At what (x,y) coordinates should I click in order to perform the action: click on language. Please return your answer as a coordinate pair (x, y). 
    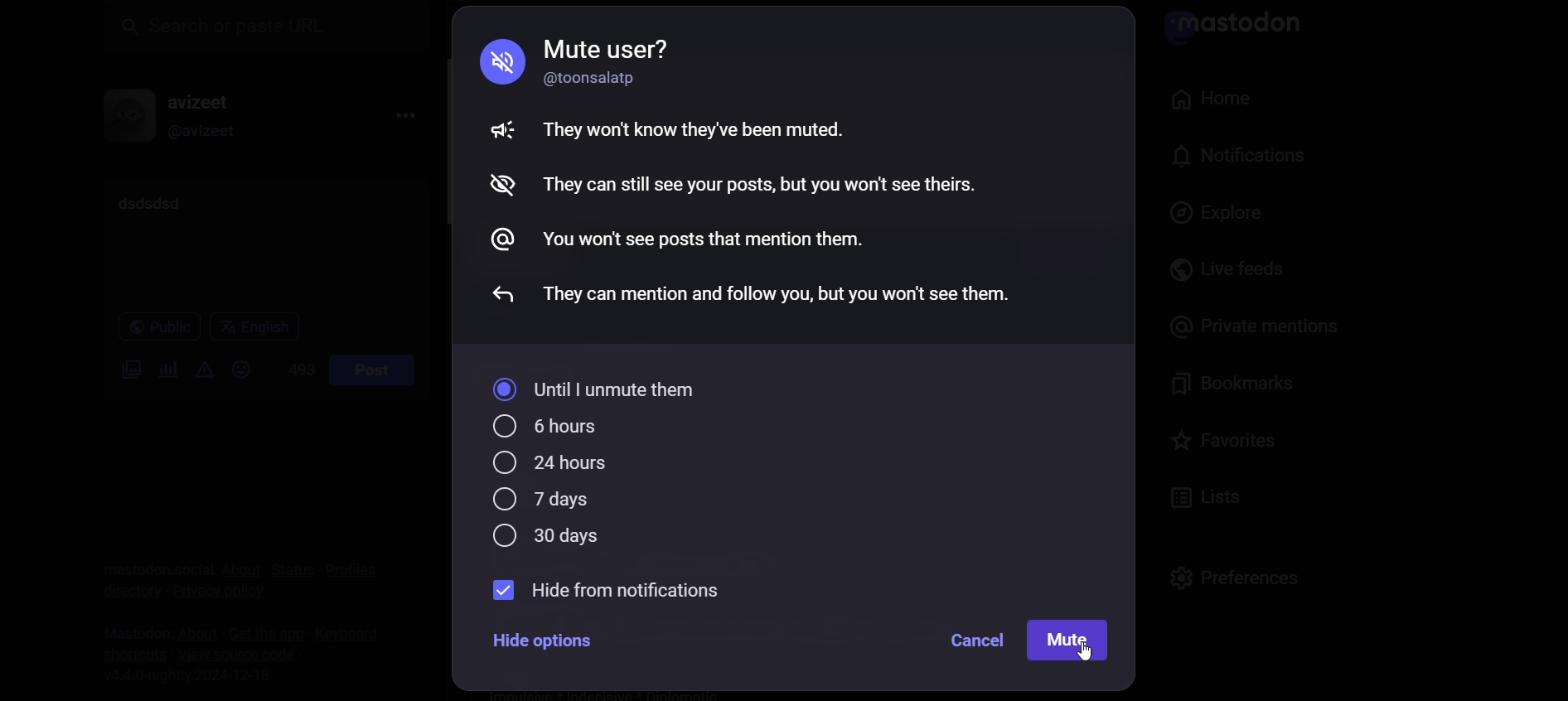
    Looking at the image, I should click on (252, 328).